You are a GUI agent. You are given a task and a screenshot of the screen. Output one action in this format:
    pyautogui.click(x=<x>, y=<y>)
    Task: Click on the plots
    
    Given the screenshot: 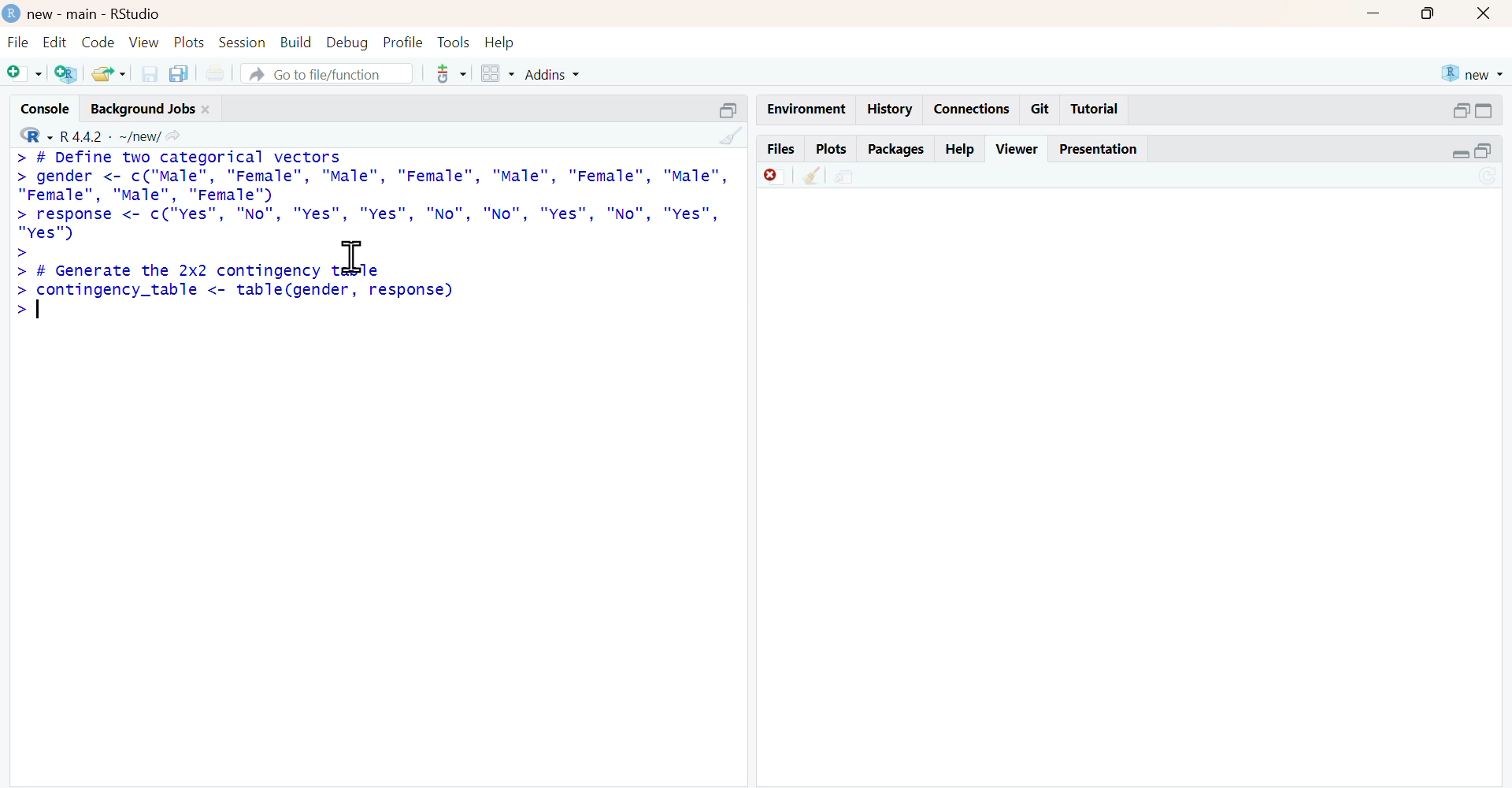 What is the action you would take?
    pyautogui.click(x=191, y=42)
    